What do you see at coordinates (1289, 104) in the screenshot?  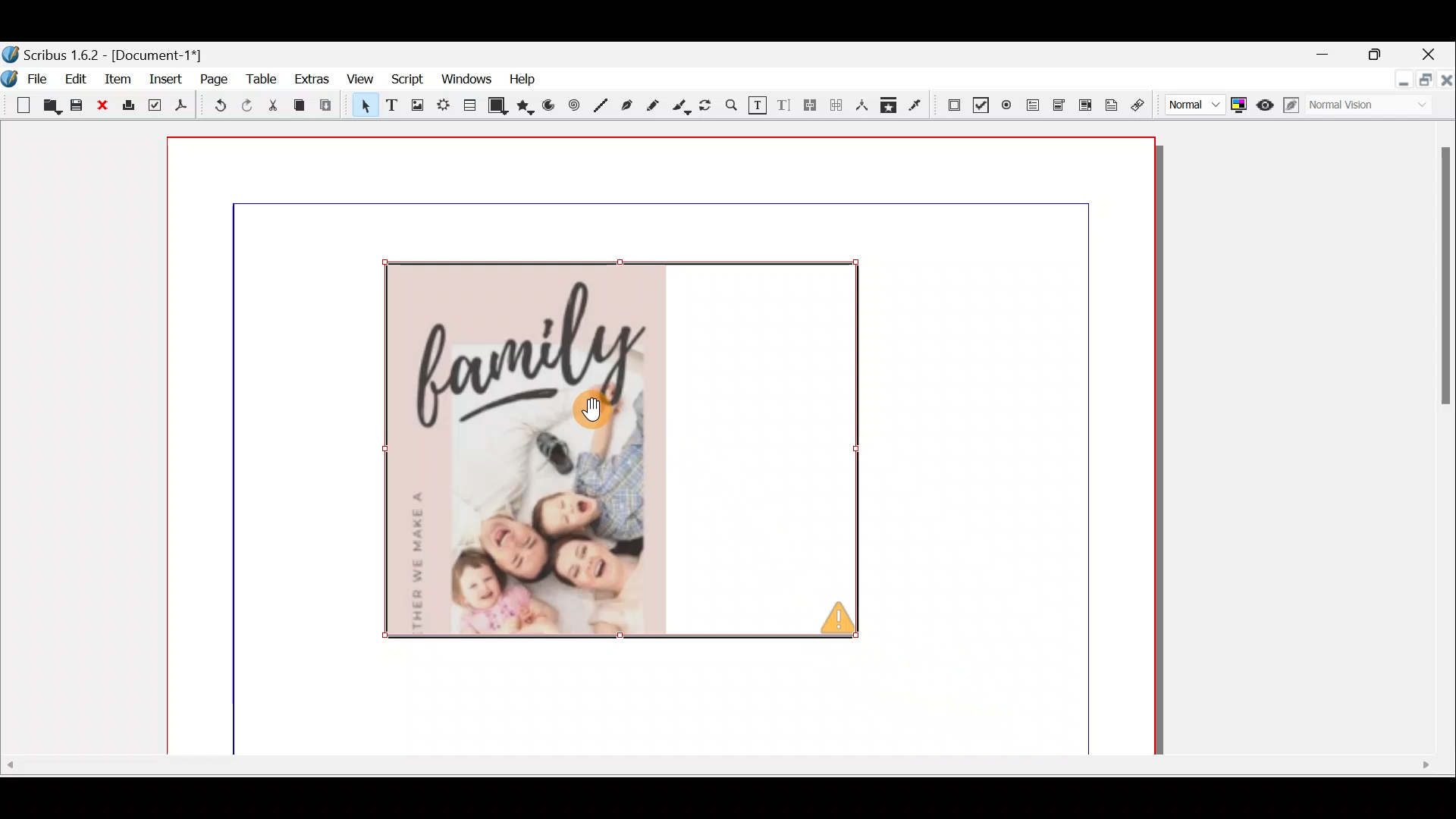 I see `Edit in preview mode` at bounding box center [1289, 104].